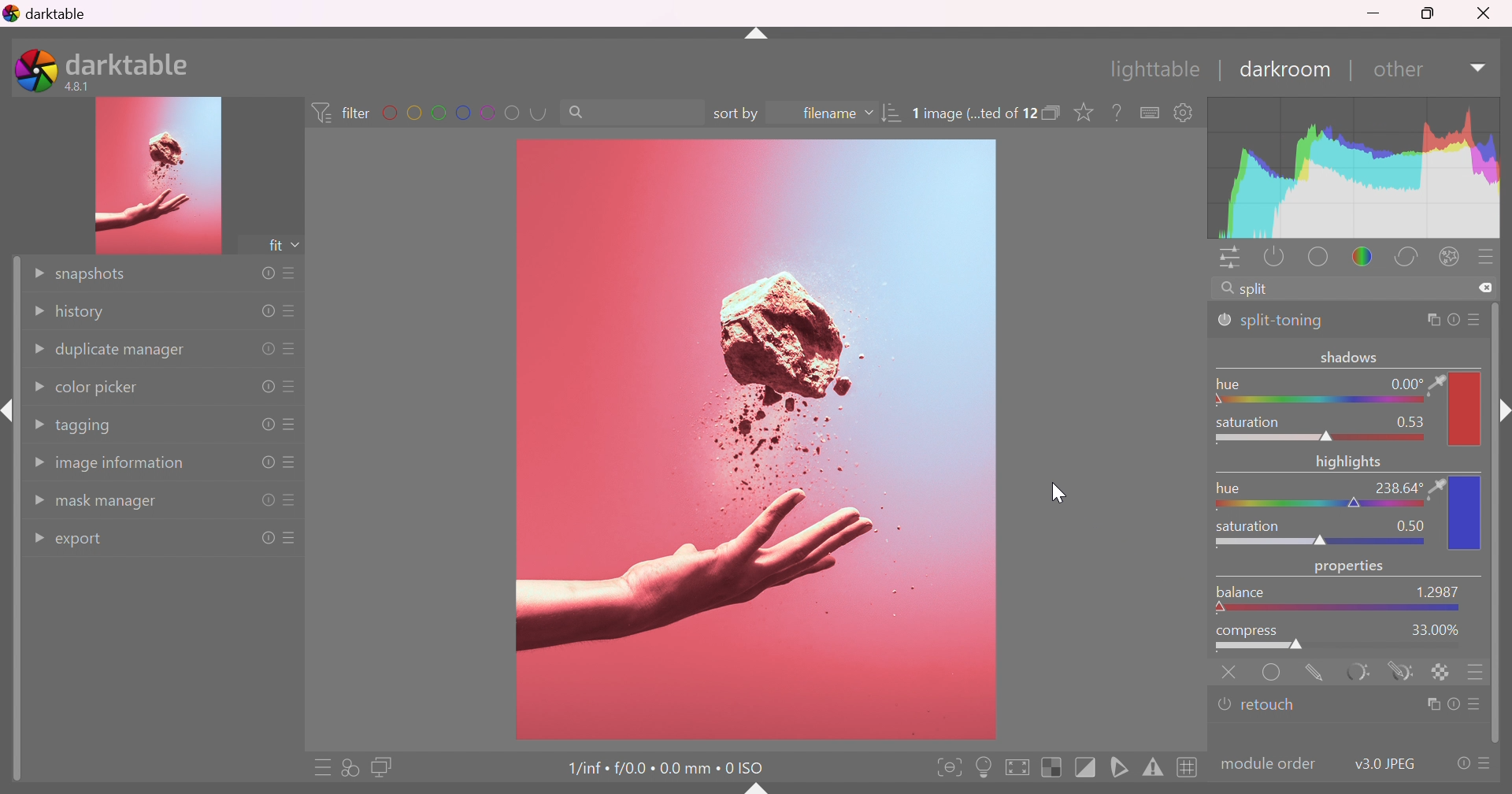 The width and height of the screenshot is (1512, 794). Describe the element at coordinates (821, 114) in the screenshot. I see `filename` at that location.